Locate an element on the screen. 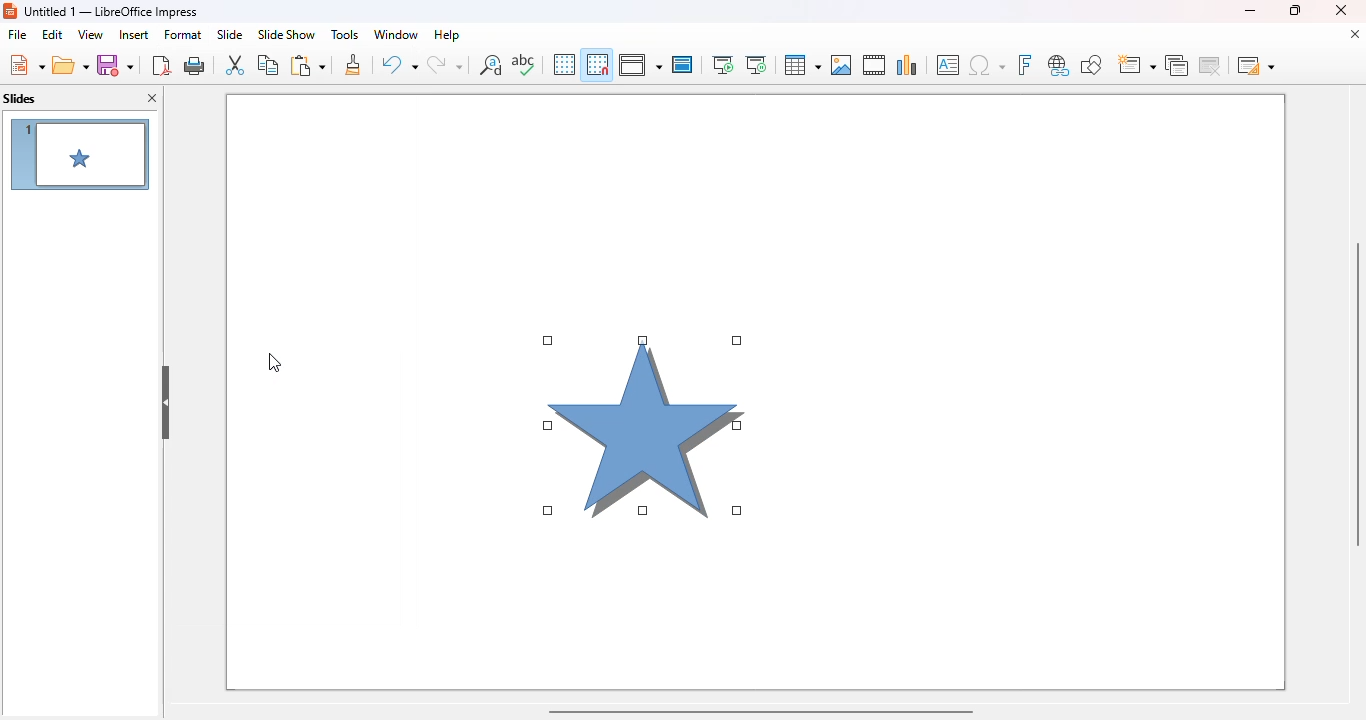 This screenshot has height=720, width=1366. insert text box is located at coordinates (948, 65).